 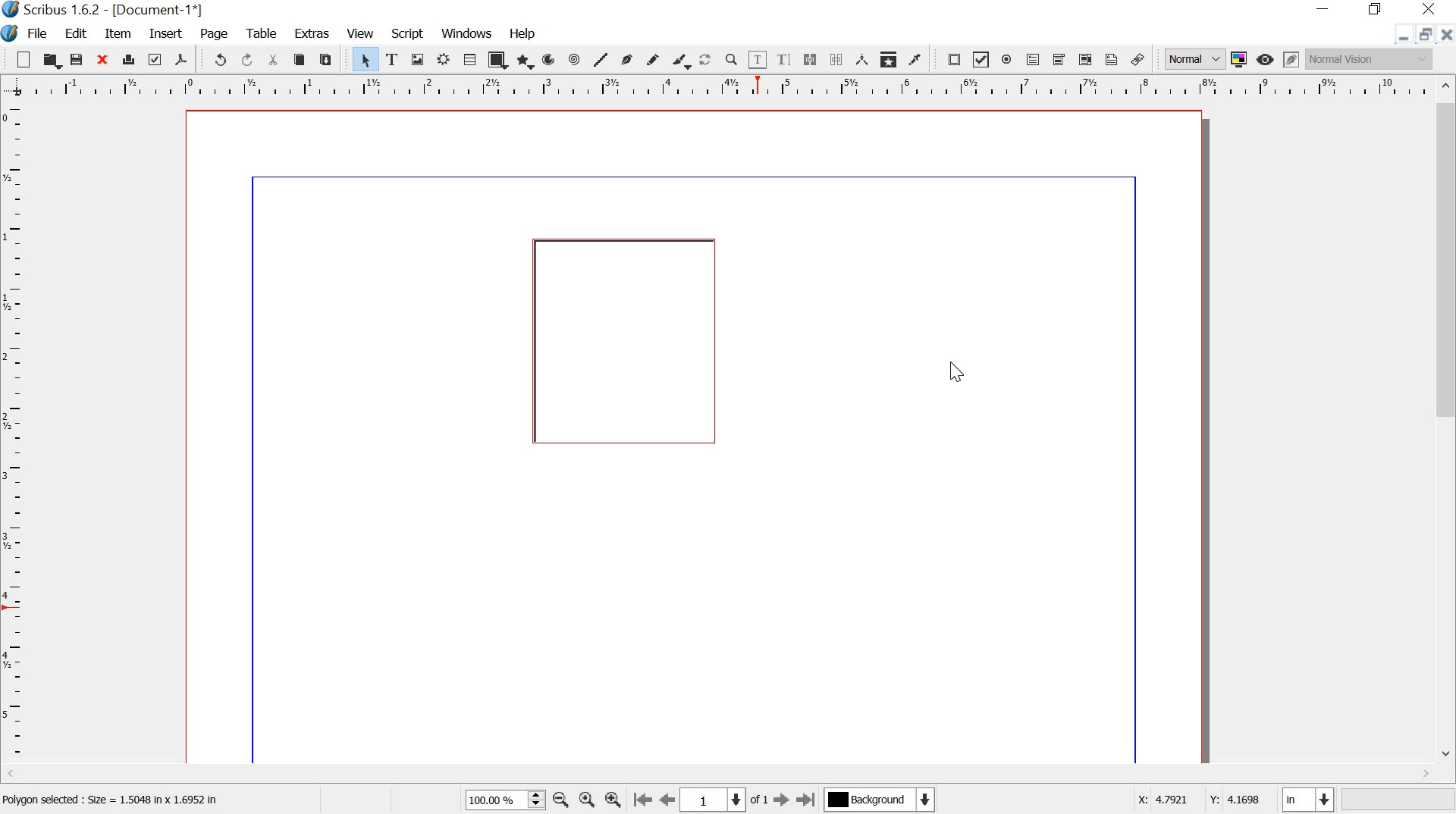 What do you see at coordinates (1241, 59) in the screenshot?
I see `toggle color management system` at bounding box center [1241, 59].